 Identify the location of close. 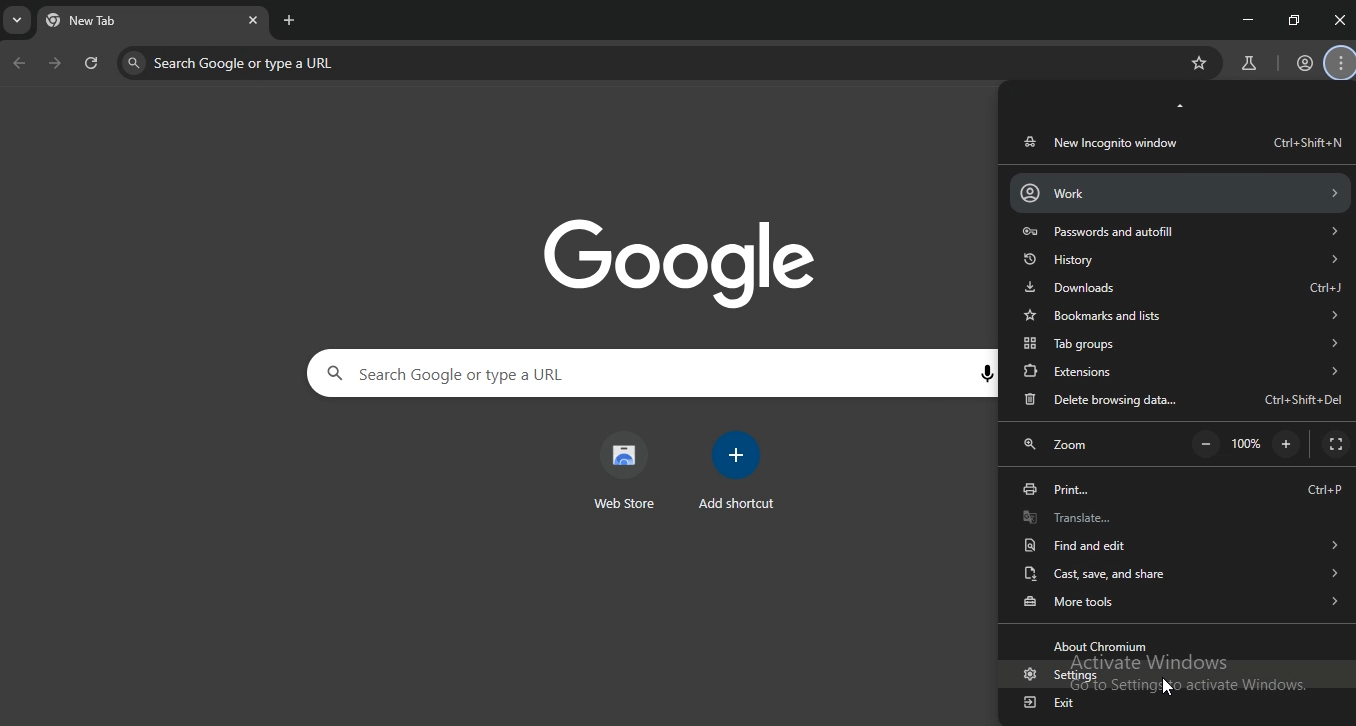
(253, 19).